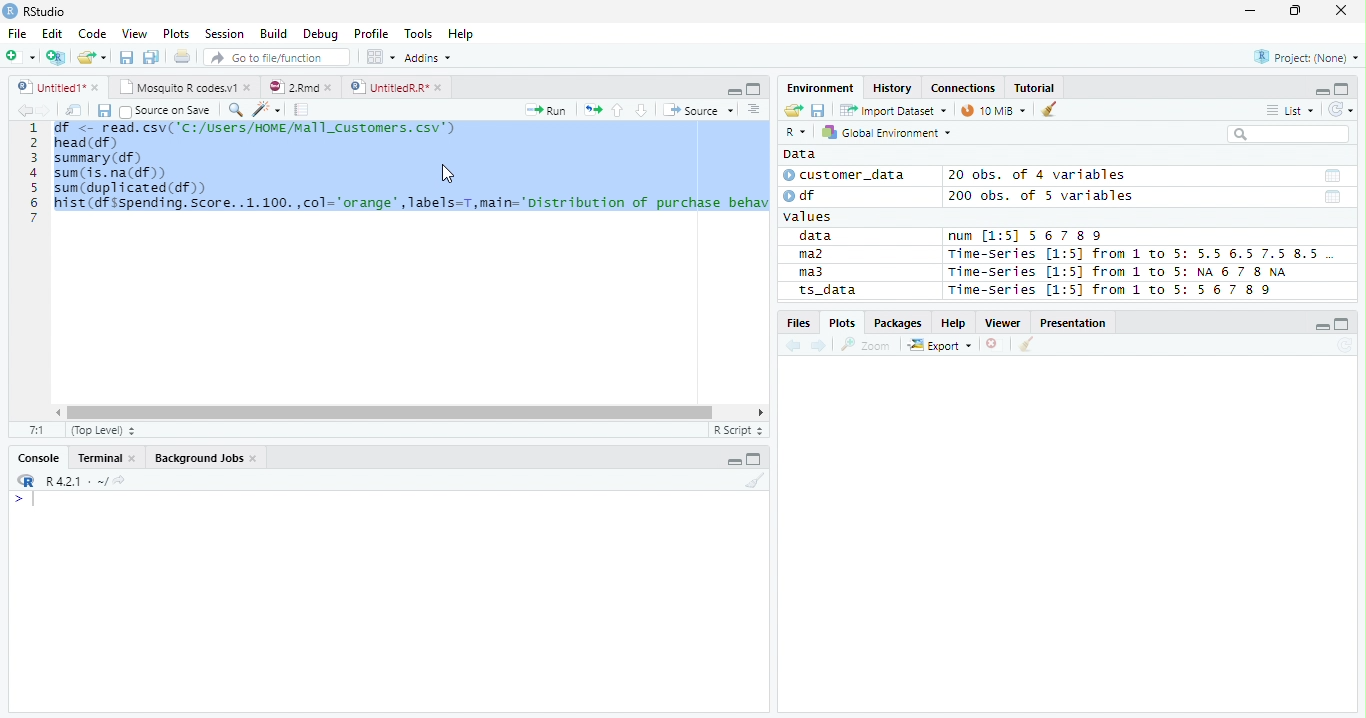 This screenshot has height=718, width=1366. What do you see at coordinates (407, 414) in the screenshot?
I see `Scroll` at bounding box center [407, 414].